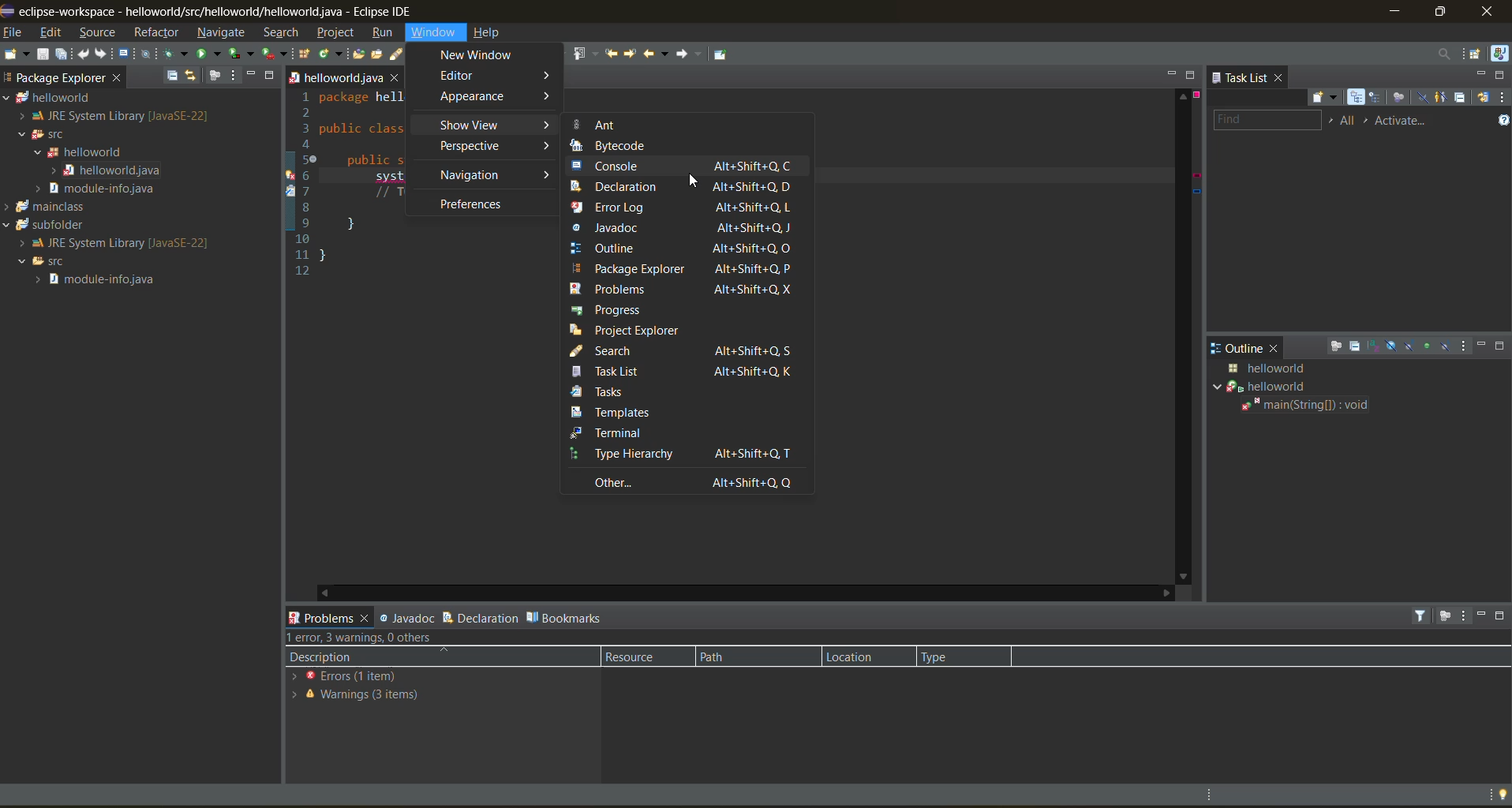 The width and height of the screenshot is (1512, 808). Describe the element at coordinates (1299, 367) in the screenshot. I see `java class details` at that location.